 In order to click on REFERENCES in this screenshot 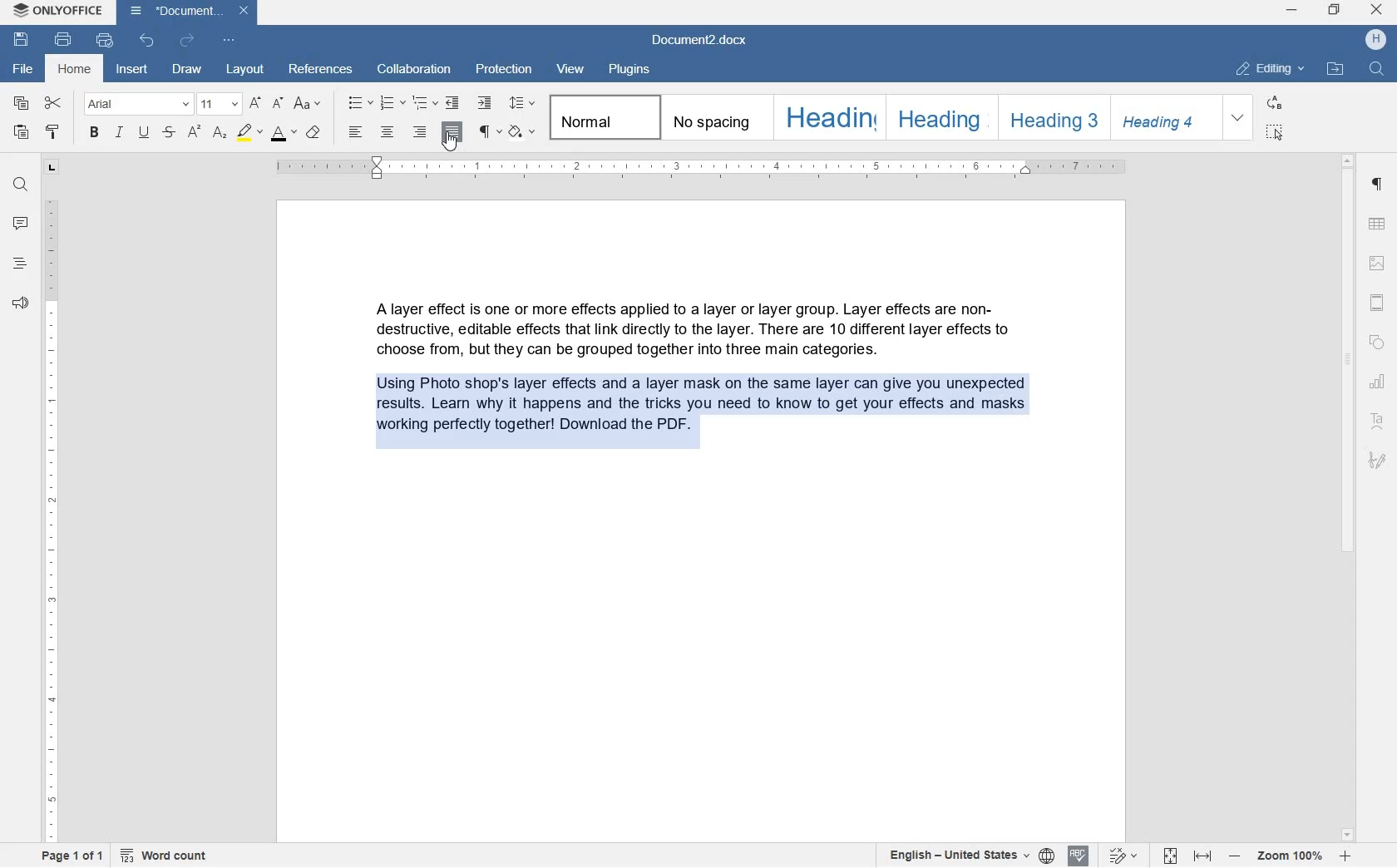, I will do `click(322, 71)`.